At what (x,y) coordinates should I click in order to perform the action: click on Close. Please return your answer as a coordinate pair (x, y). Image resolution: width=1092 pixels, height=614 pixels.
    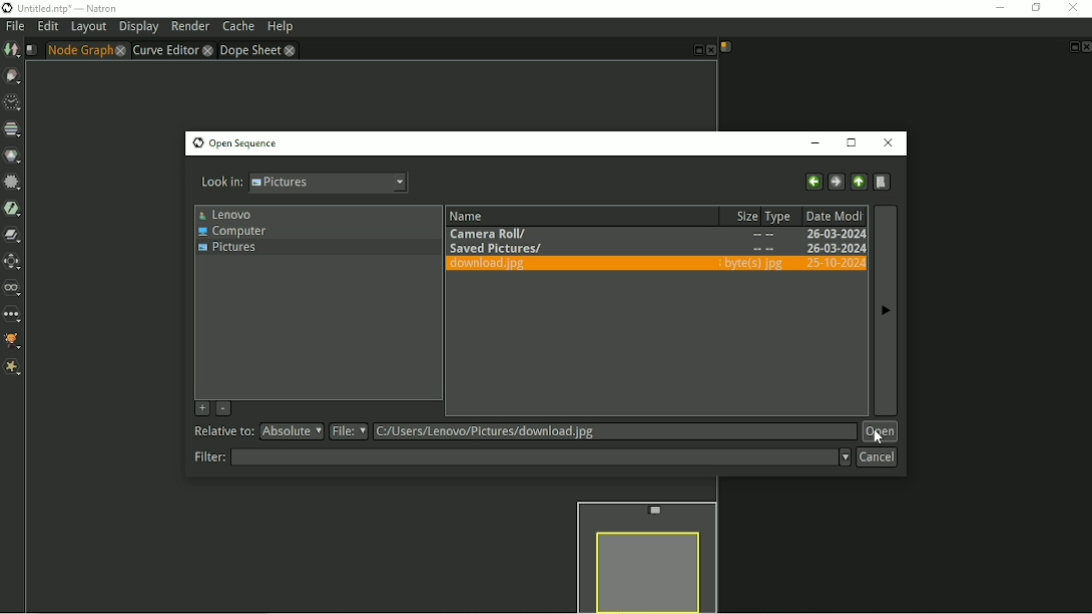
    Looking at the image, I should click on (1085, 47).